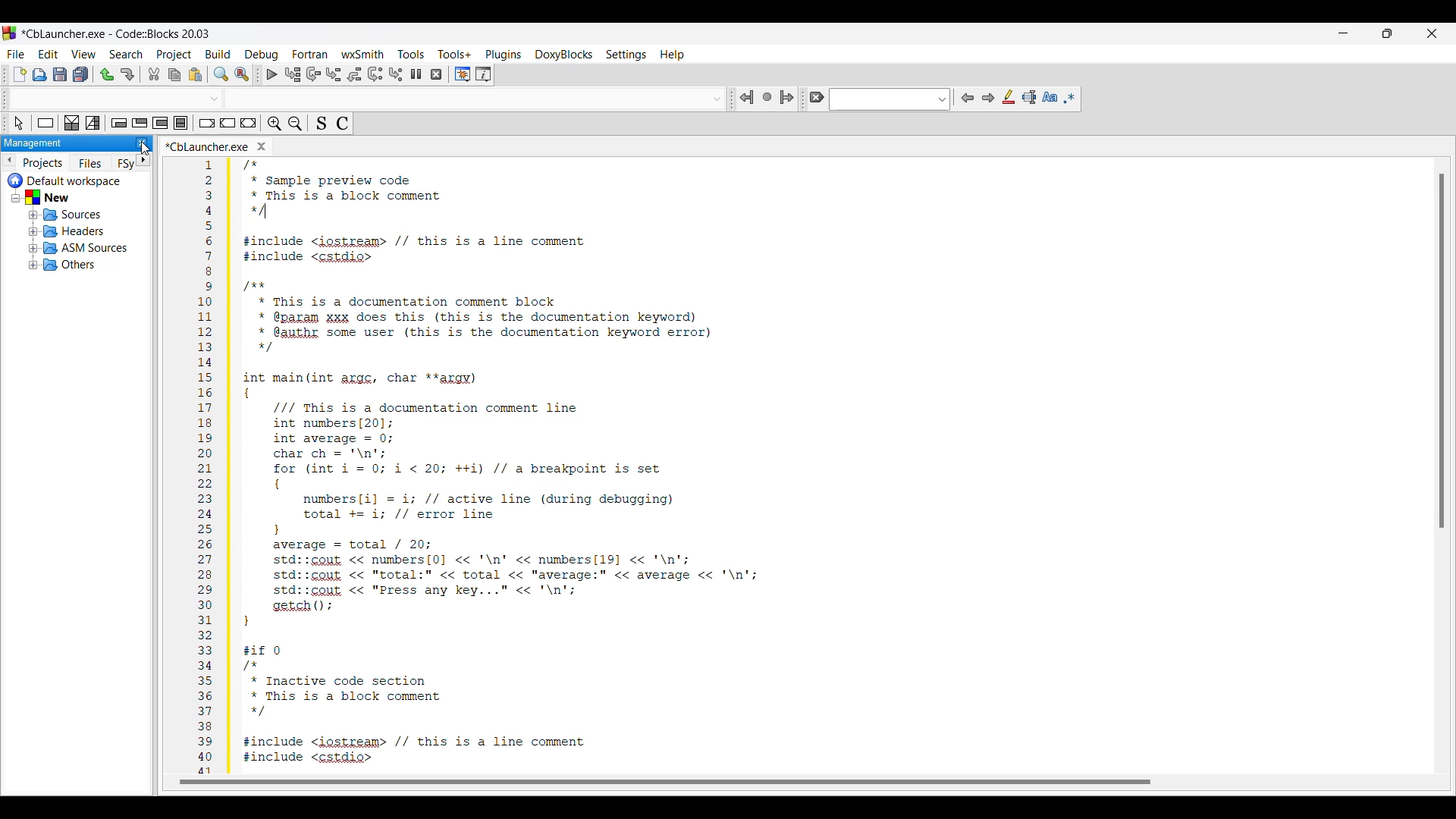  I want to click on Close panel, so click(142, 143).